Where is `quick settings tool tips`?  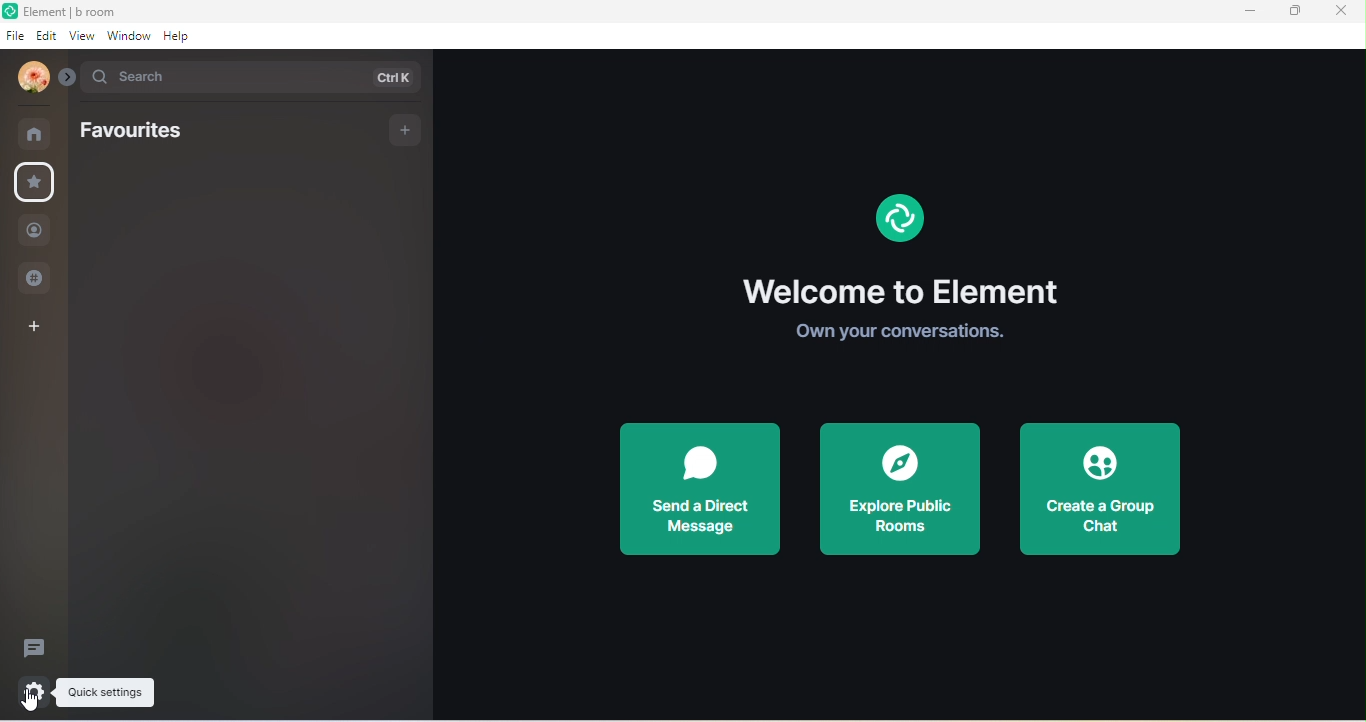 quick settings tool tips is located at coordinates (111, 695).